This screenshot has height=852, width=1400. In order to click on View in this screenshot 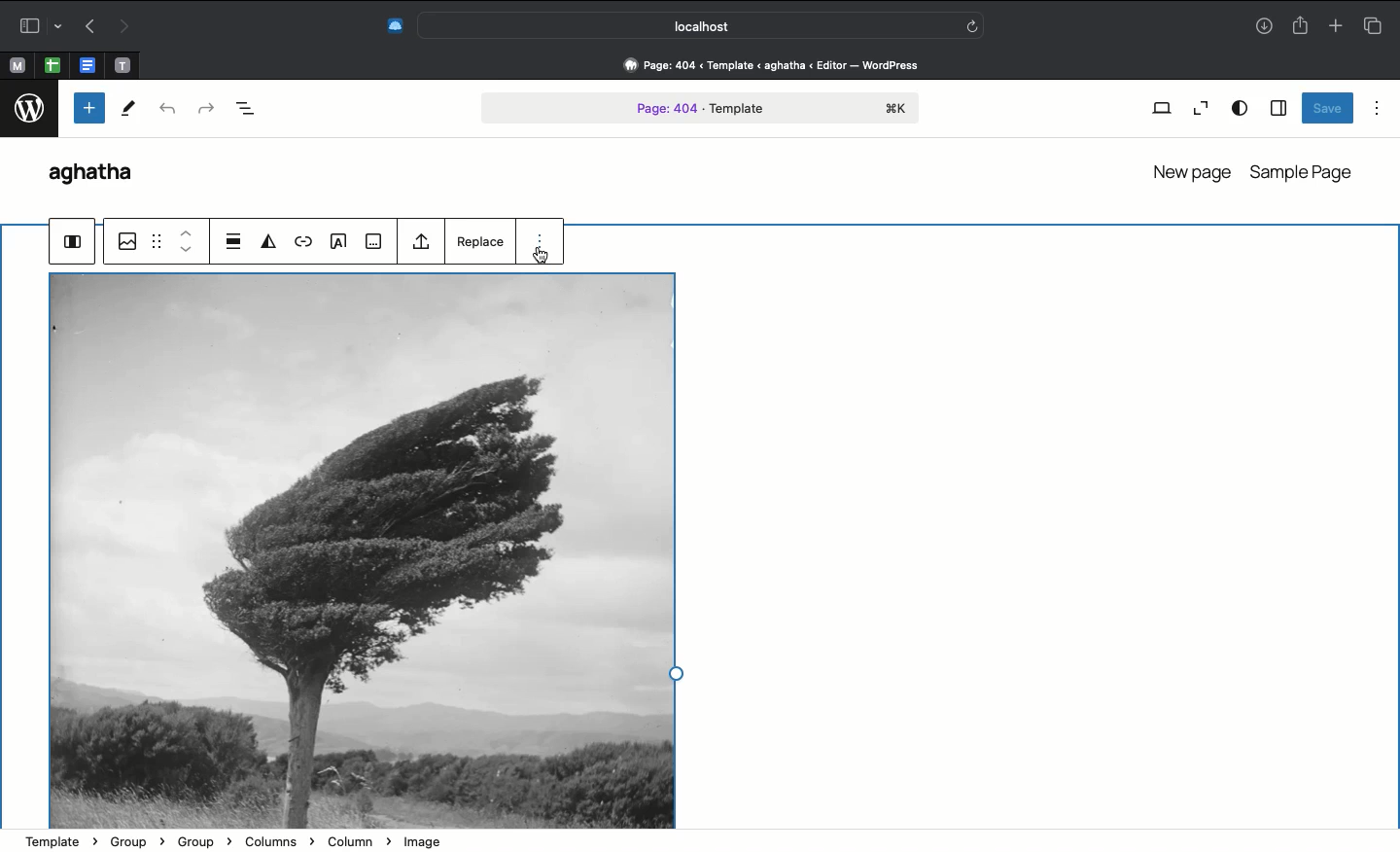, I will do `click(1161, 110)`.